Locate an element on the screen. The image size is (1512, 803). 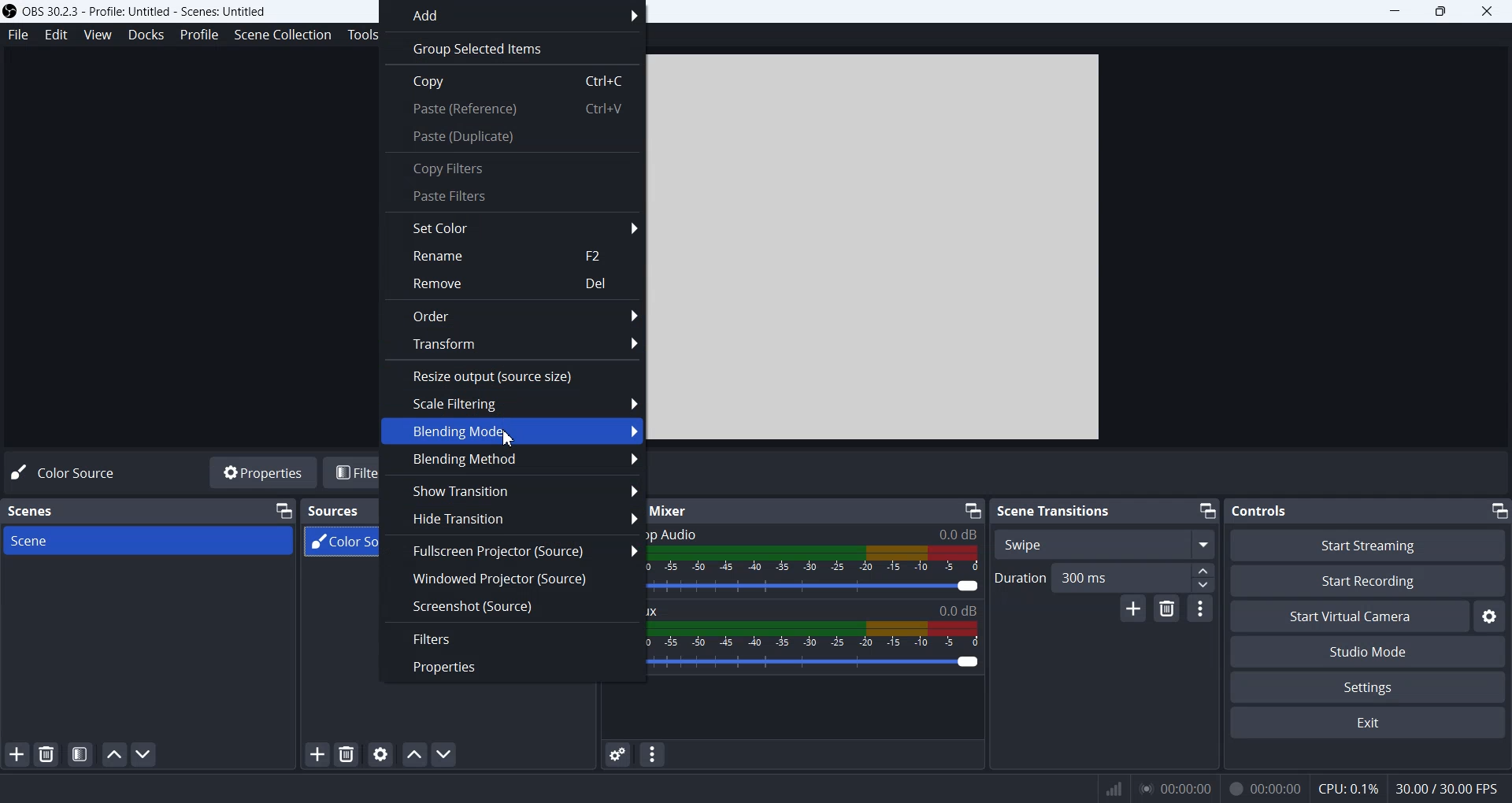
Set Color is located at coordinates (511, 227).